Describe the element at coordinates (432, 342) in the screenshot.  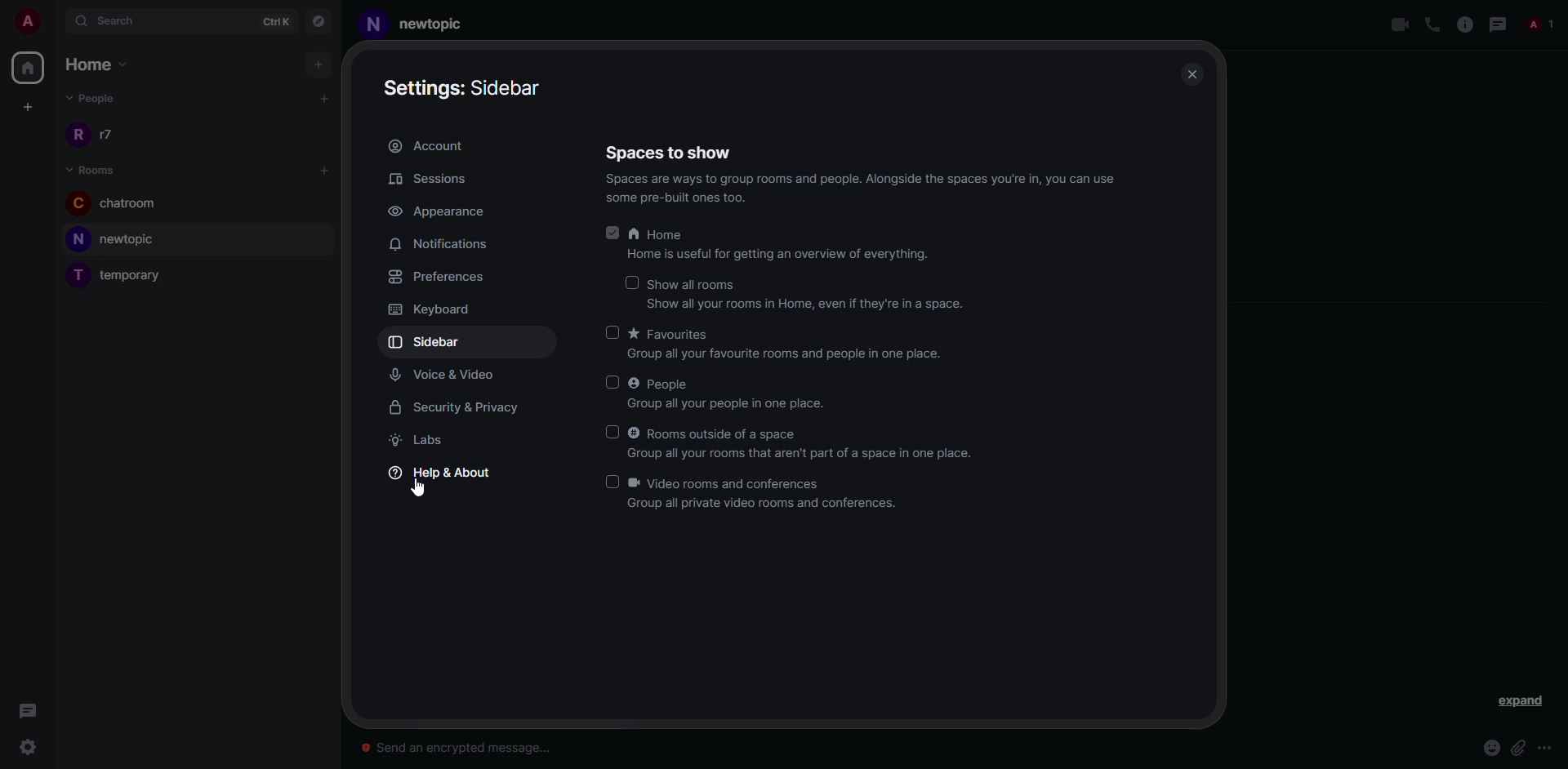
I see `sidebar` at that location.